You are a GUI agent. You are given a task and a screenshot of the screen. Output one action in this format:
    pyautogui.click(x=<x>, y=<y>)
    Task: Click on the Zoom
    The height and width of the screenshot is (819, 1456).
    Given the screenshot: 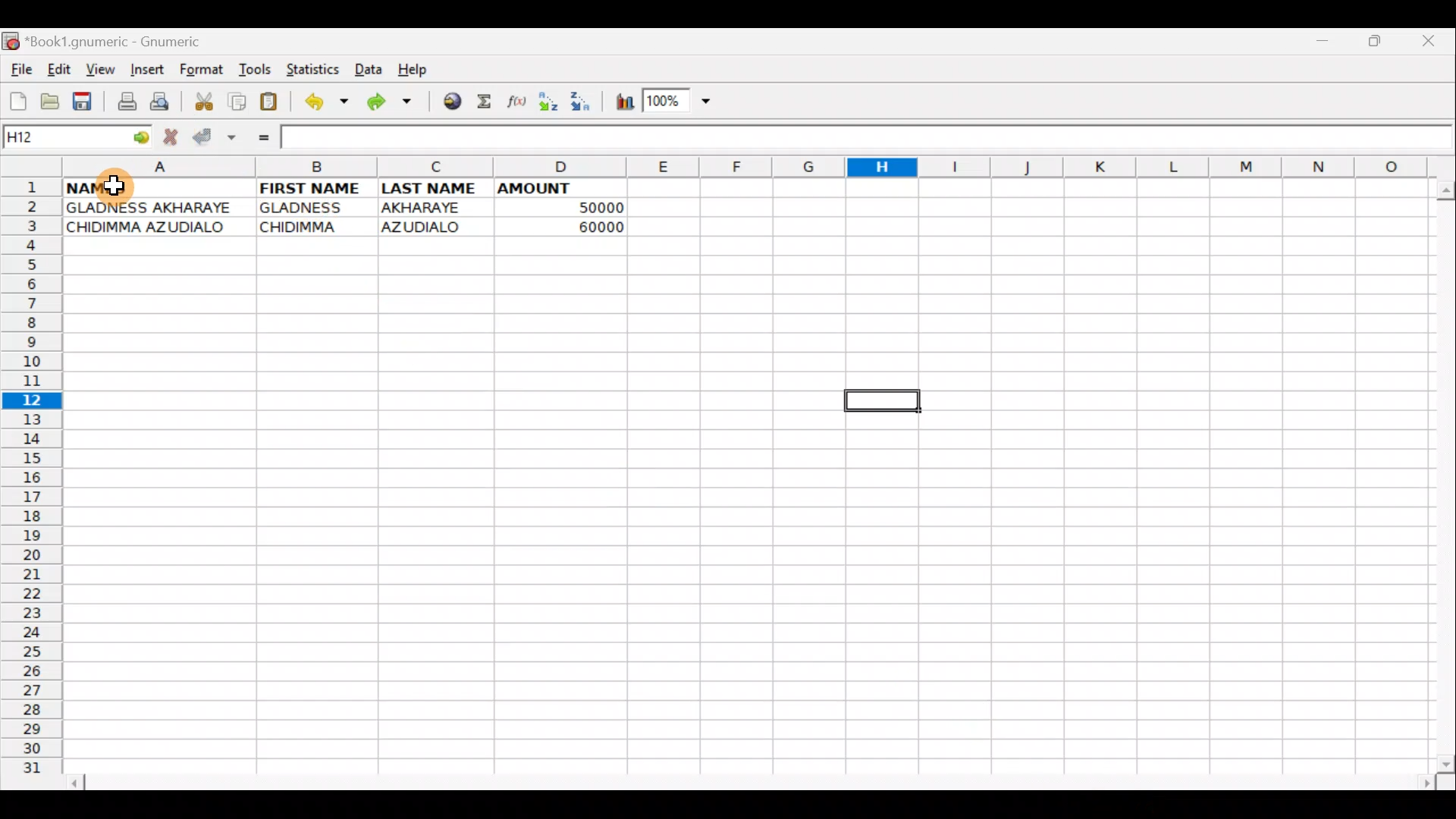 What is the action you would take?
    pyautogui.click(x=679, y=99)
    